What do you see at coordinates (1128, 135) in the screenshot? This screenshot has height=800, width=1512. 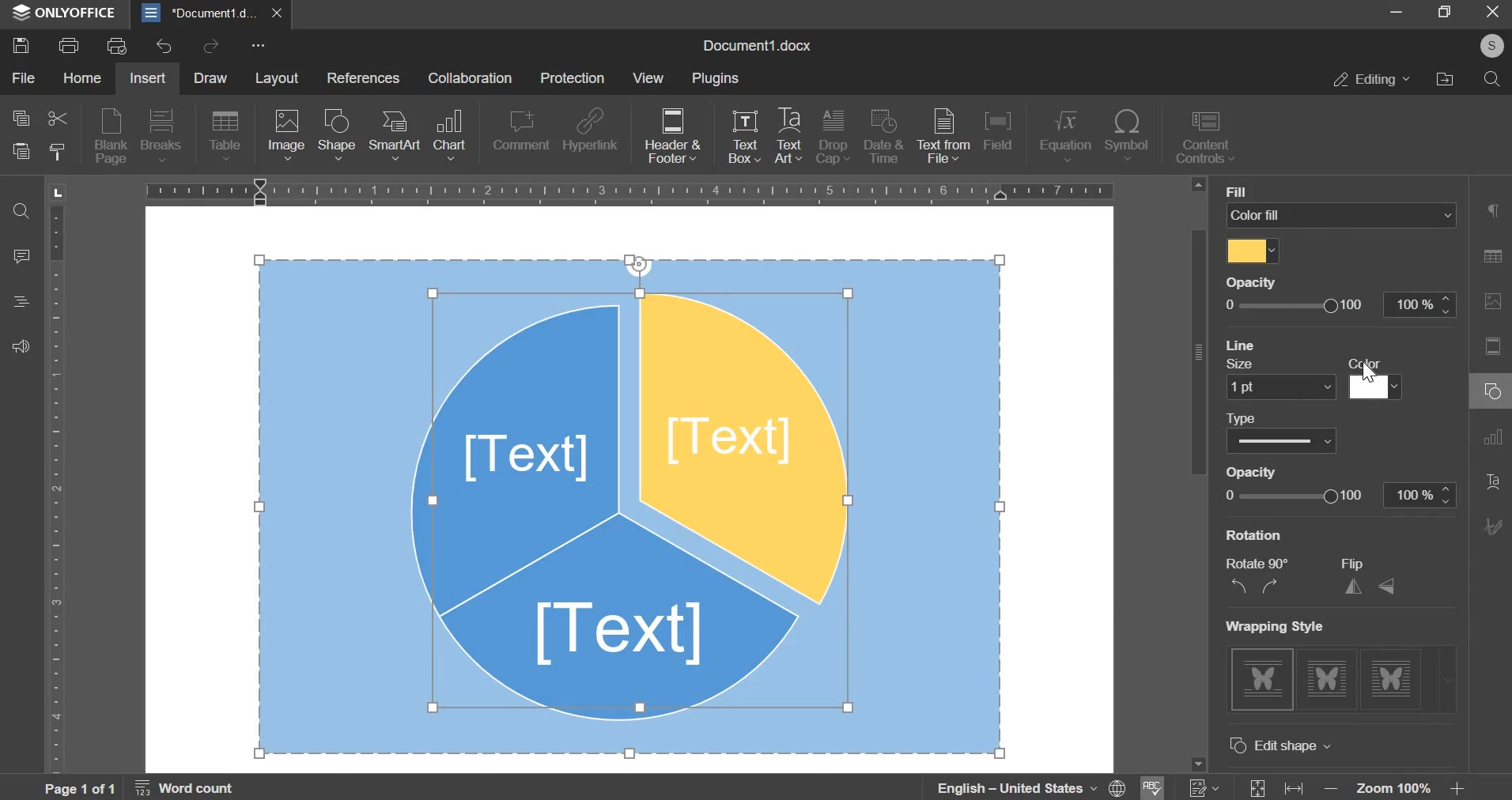 I see `symbol` at bounding box center [1128, 135].